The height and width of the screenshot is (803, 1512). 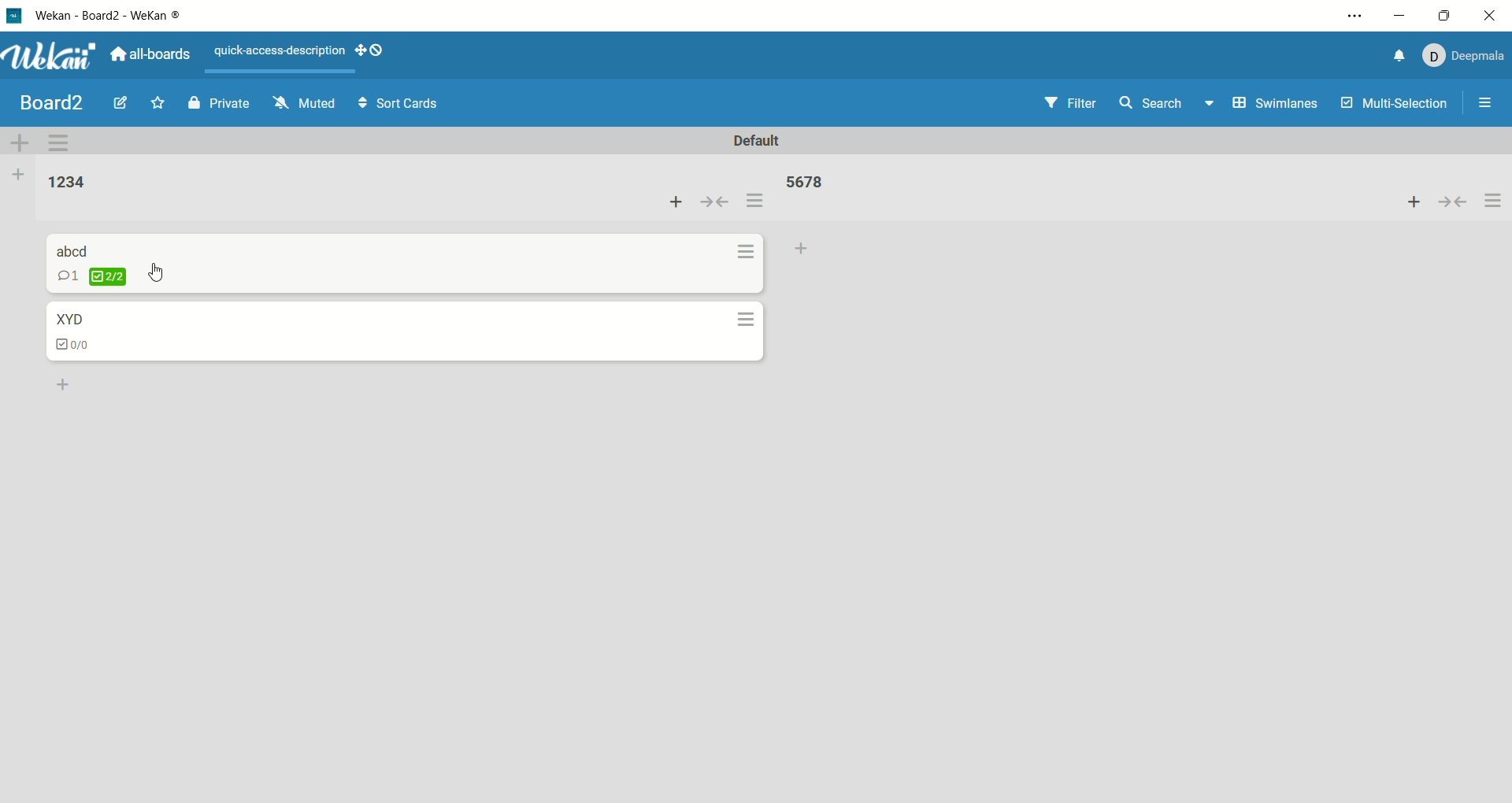 I want to click on logo, so click(x=16, y=15).